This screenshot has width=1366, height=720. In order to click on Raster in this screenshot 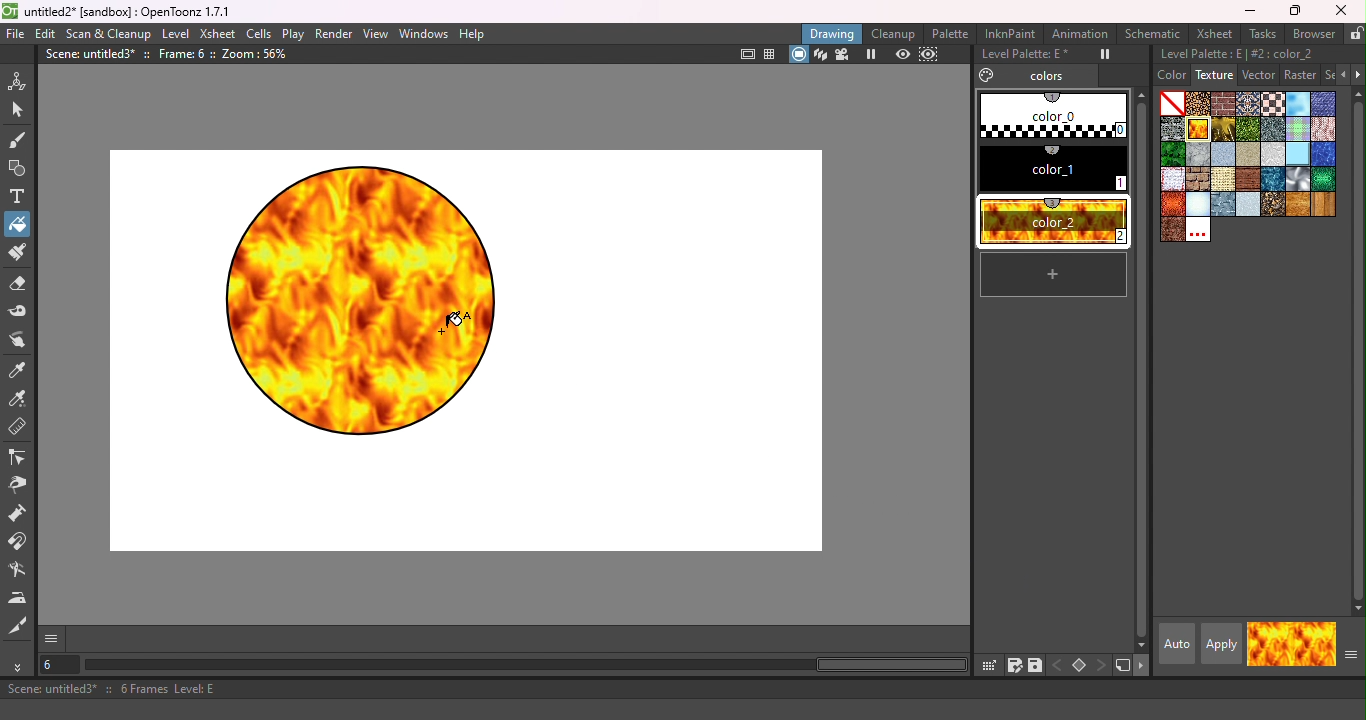, I will do `click(1301, 75)`.